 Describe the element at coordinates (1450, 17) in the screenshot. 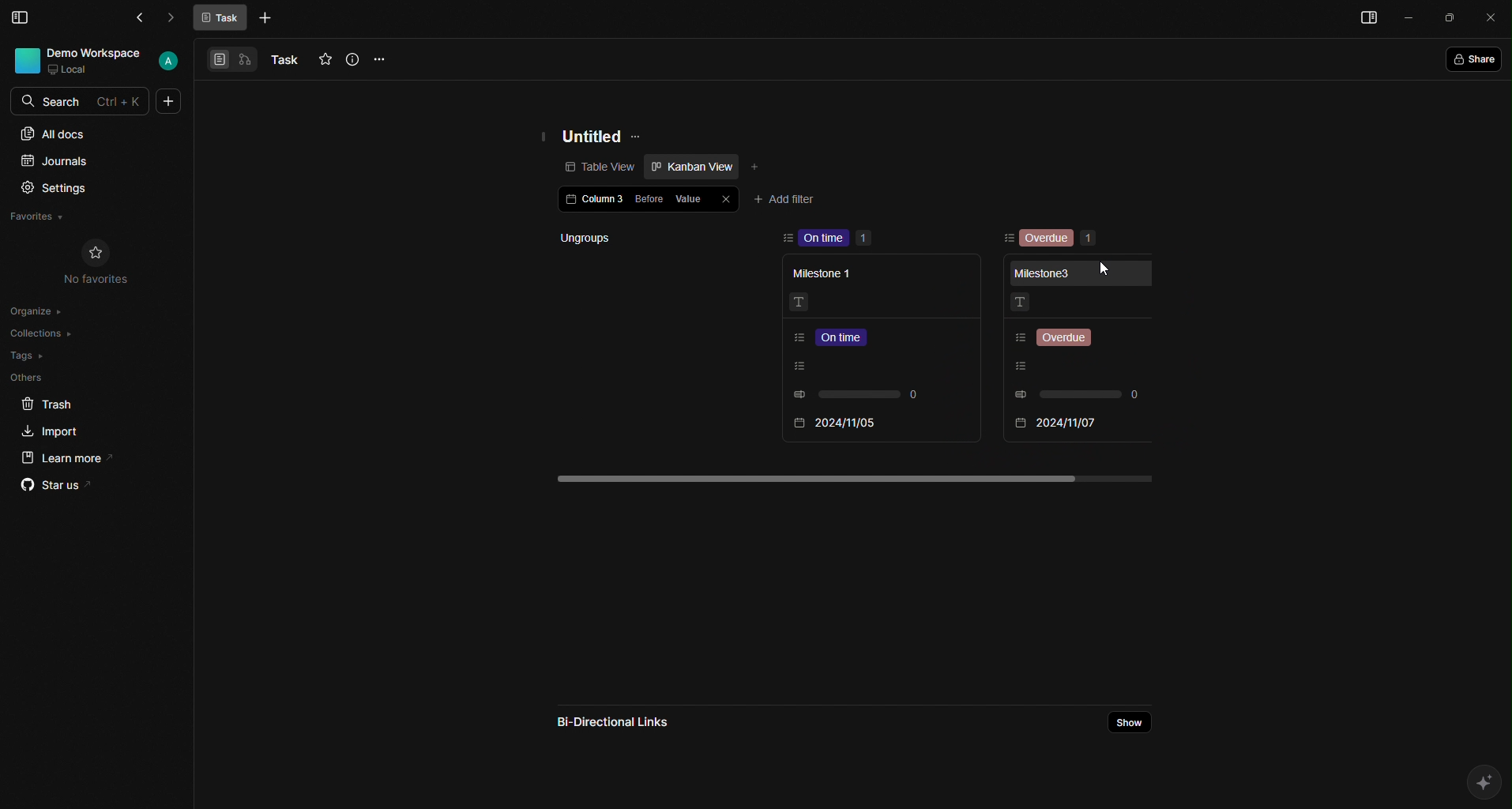

I see `Box` at that location.